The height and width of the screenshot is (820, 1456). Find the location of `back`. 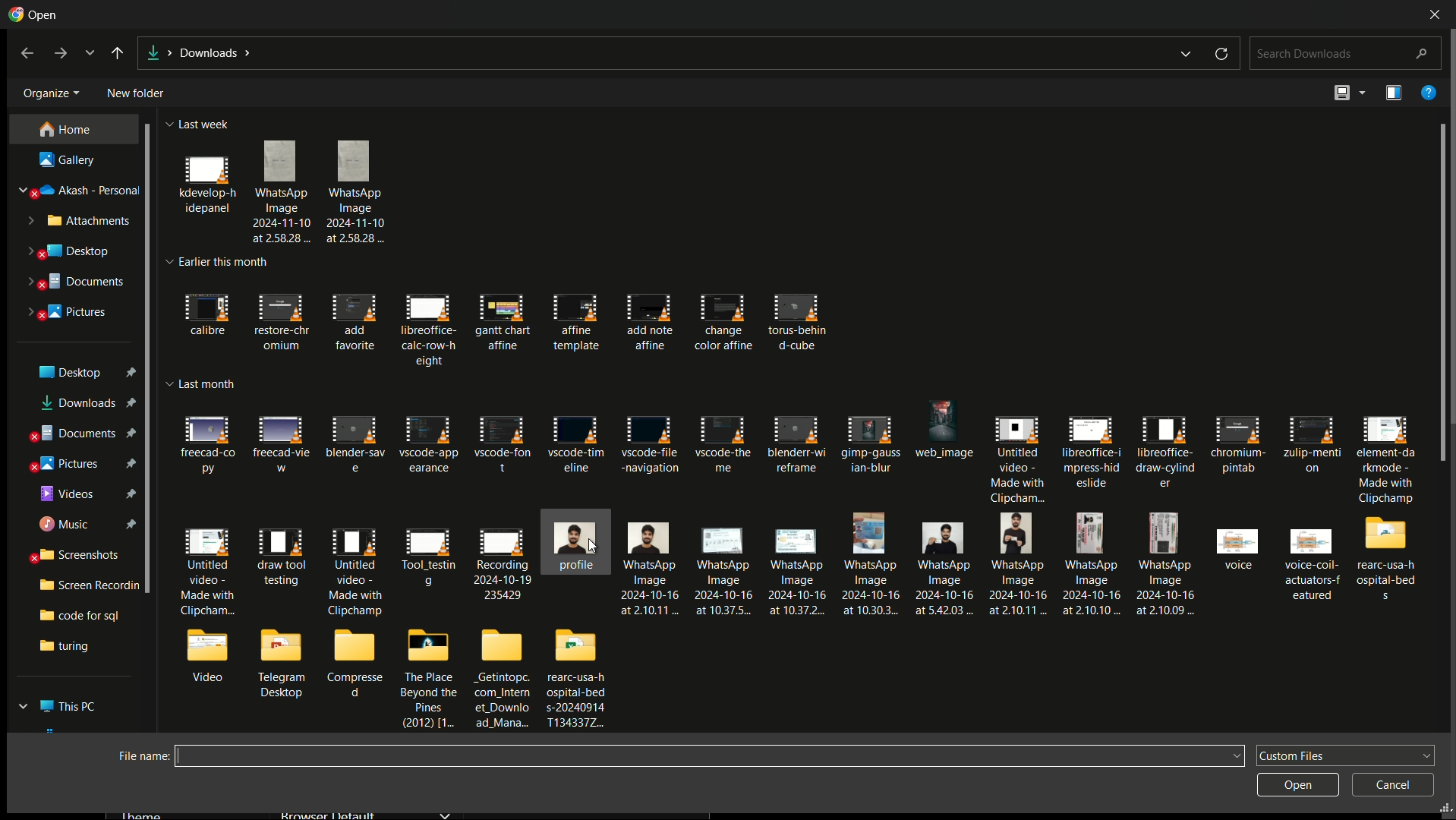

back is located at coordinates (118, 54).